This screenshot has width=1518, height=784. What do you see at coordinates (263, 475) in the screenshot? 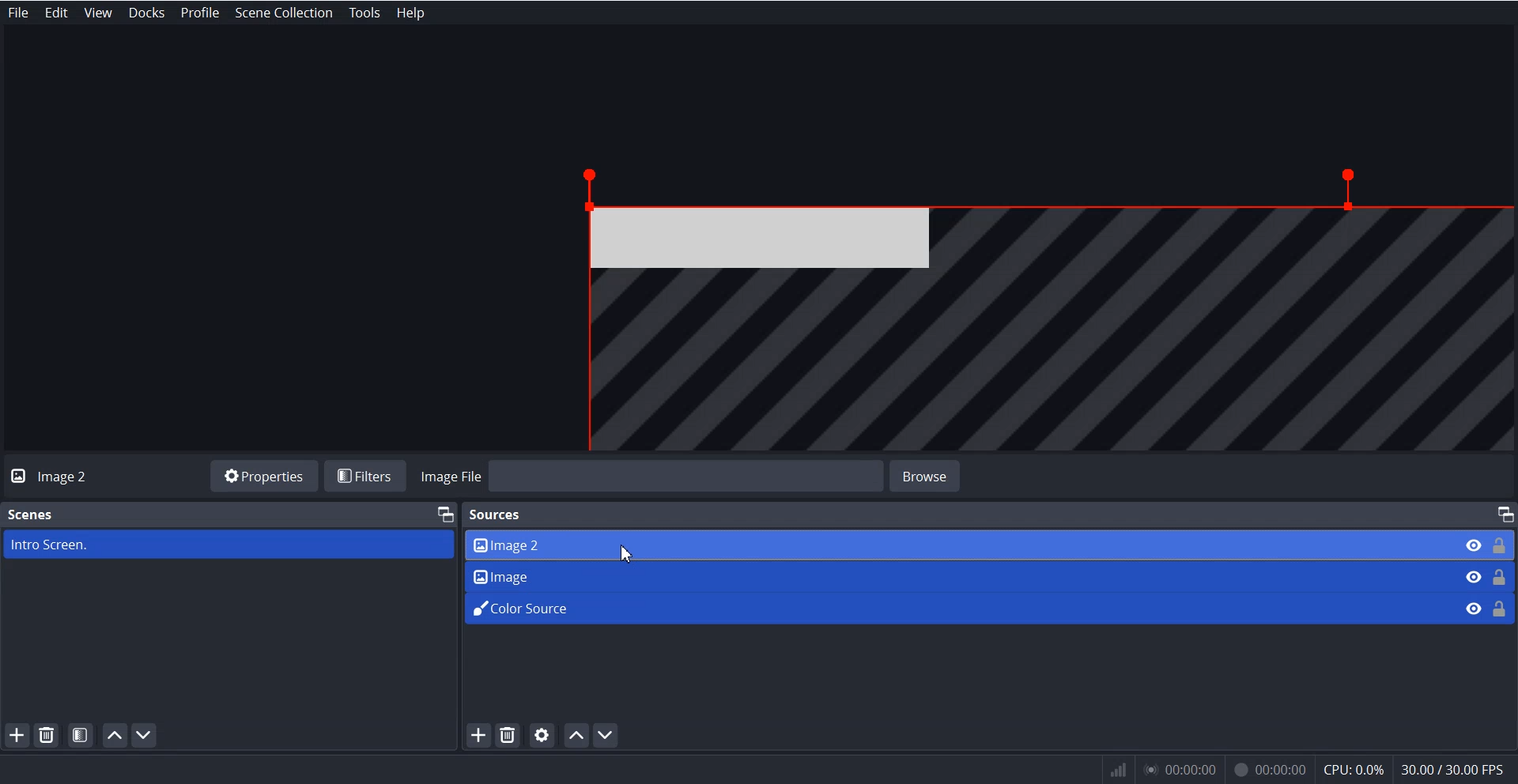
I see `Properties` at bounding box center [263, 475].